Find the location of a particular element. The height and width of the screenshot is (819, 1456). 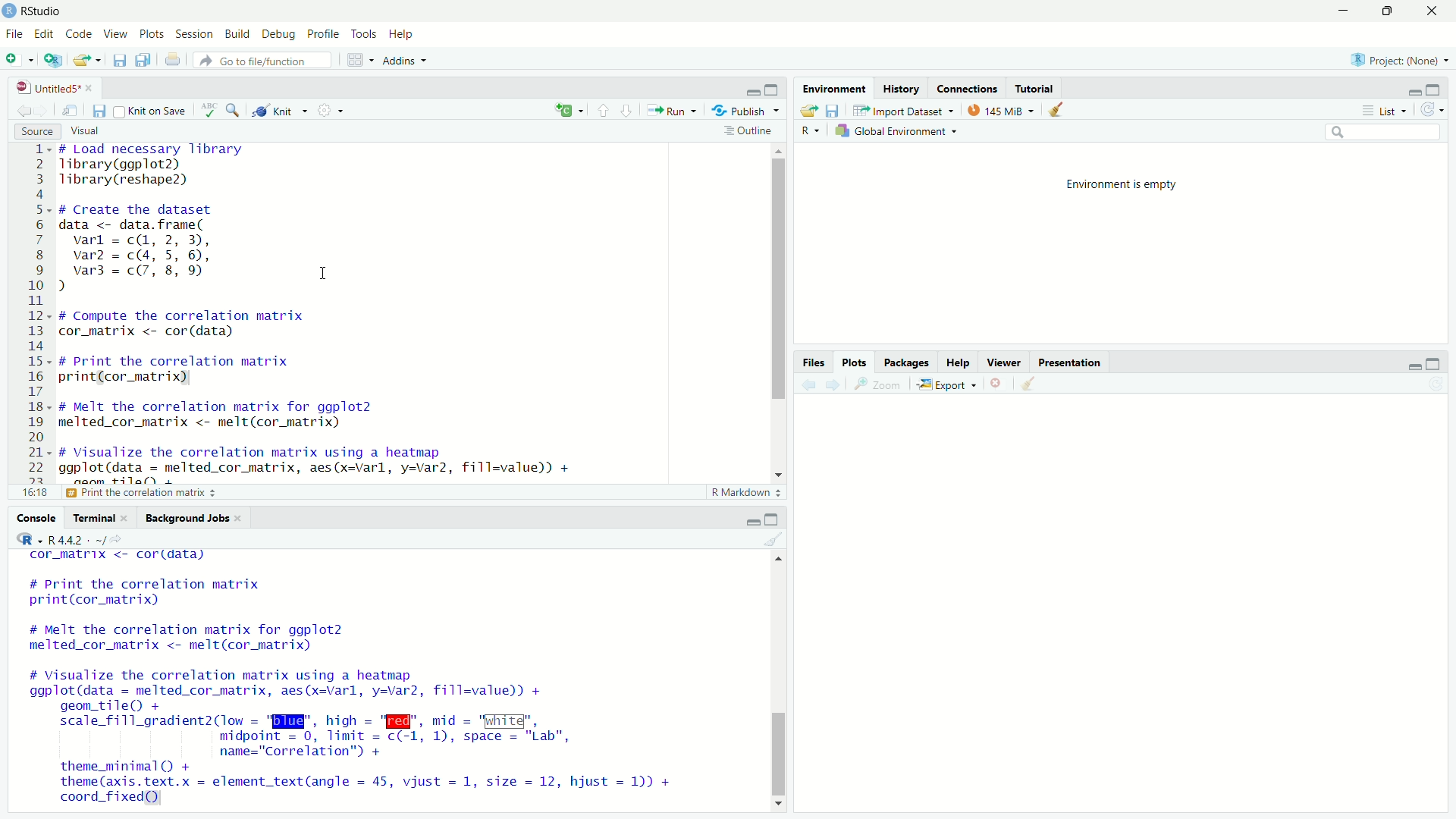

cursor is located at coordinates (324, 272).